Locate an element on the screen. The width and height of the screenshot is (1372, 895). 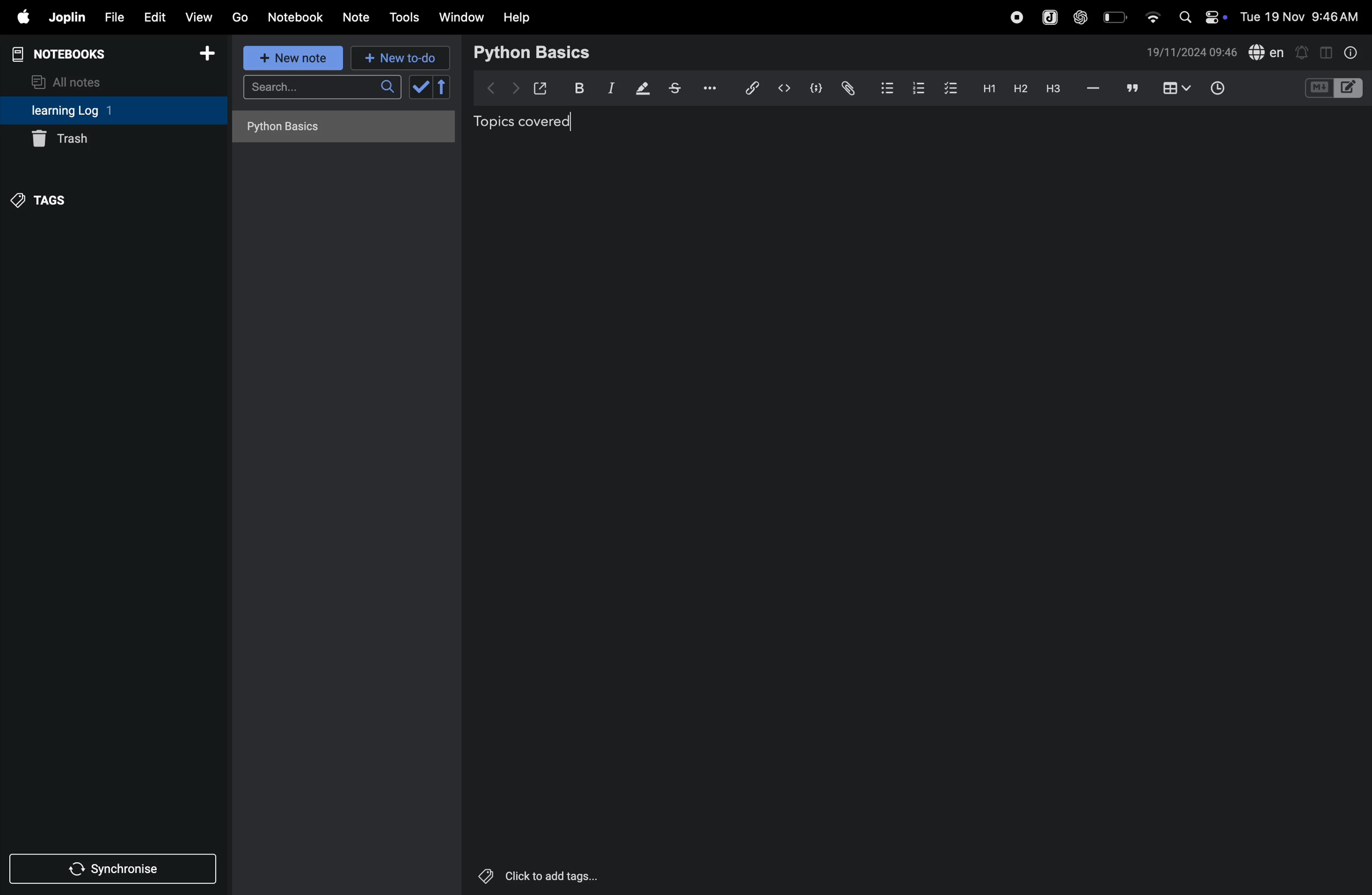
search is located at coordinates (322, 91).